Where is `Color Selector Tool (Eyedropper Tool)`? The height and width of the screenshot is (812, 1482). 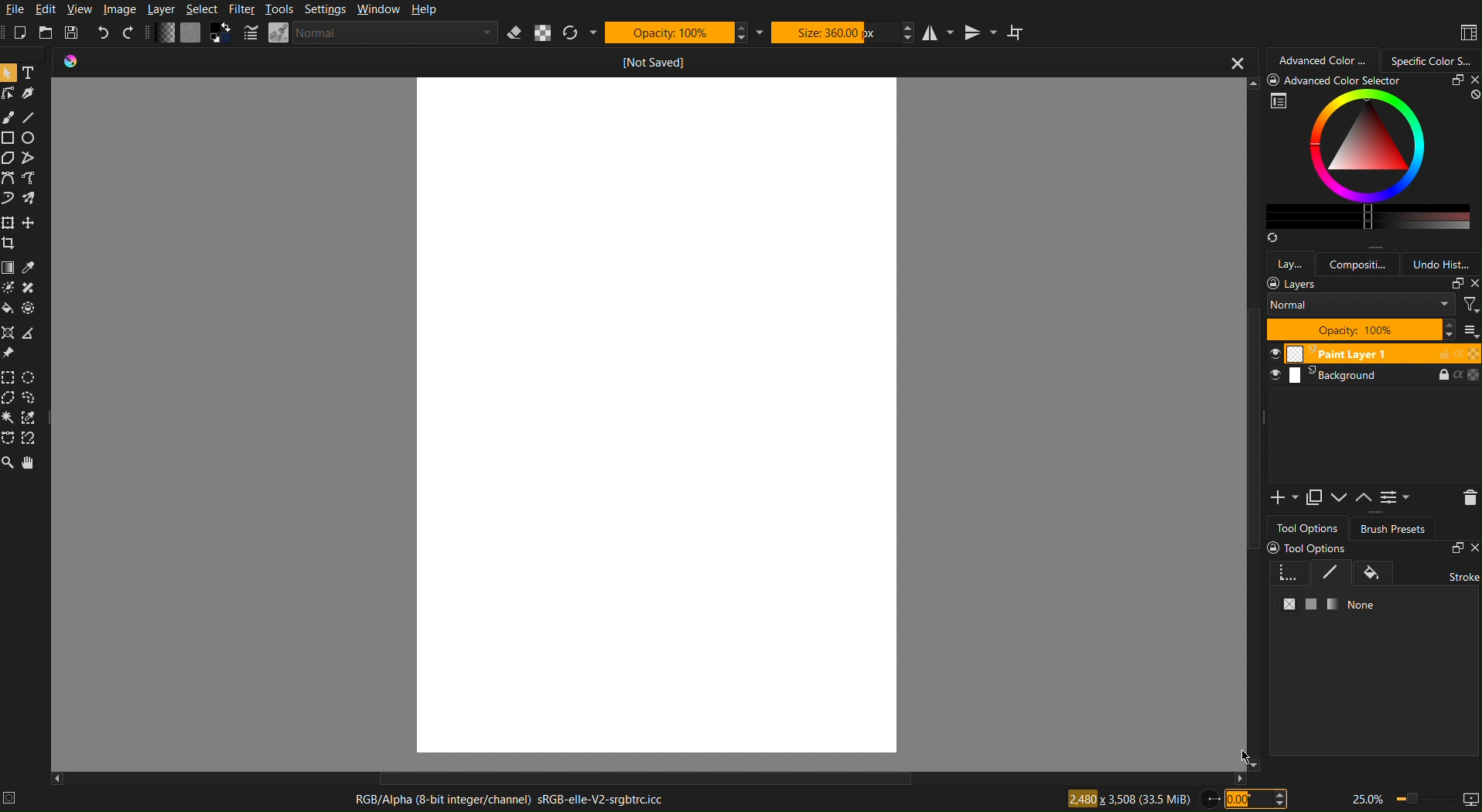
Color Selector Tool (Eyedropper Tool) is located at coordinates (29, 268).